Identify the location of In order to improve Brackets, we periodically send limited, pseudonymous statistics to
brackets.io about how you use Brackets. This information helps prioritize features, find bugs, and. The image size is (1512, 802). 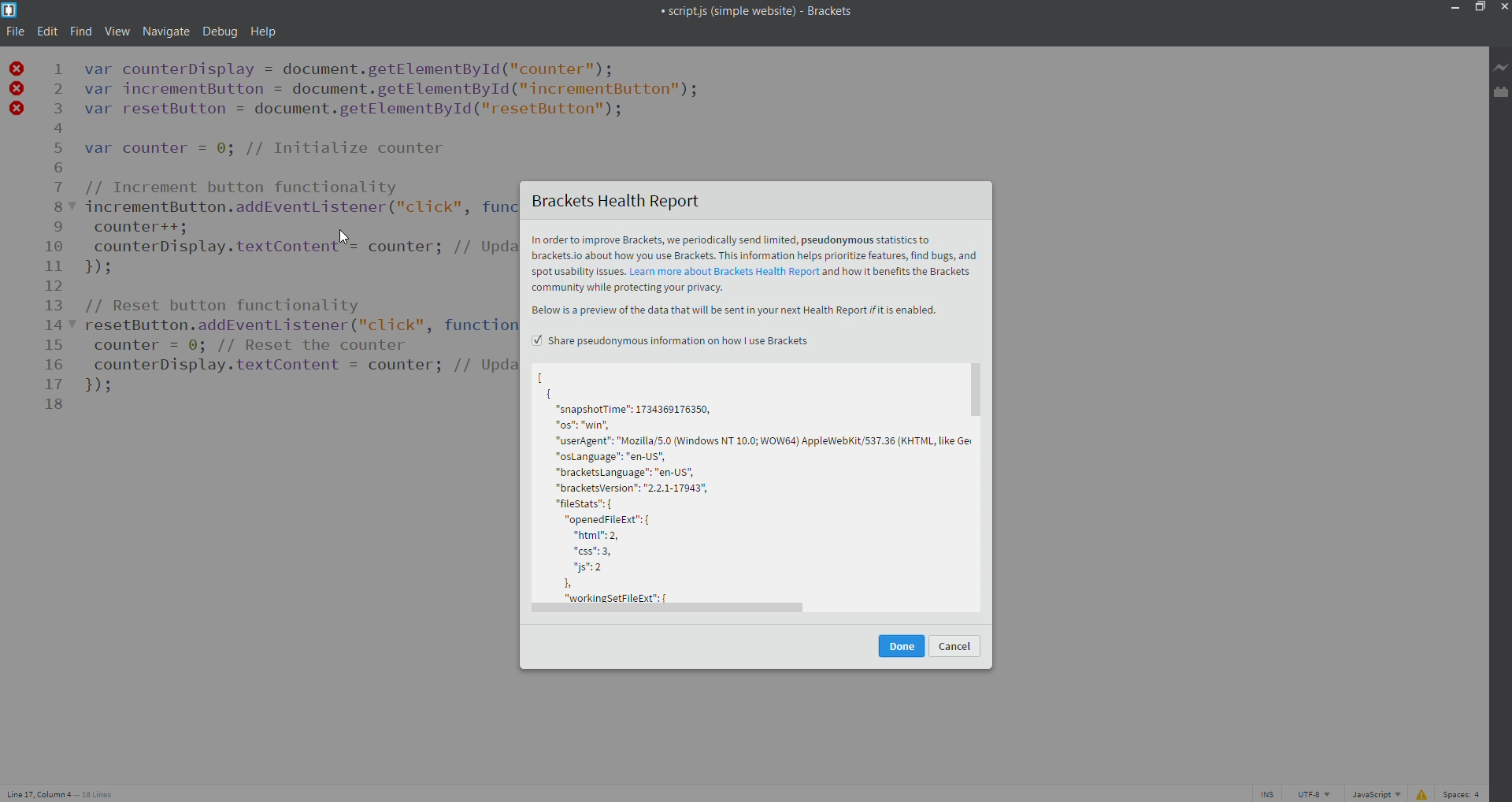
(754, 247).